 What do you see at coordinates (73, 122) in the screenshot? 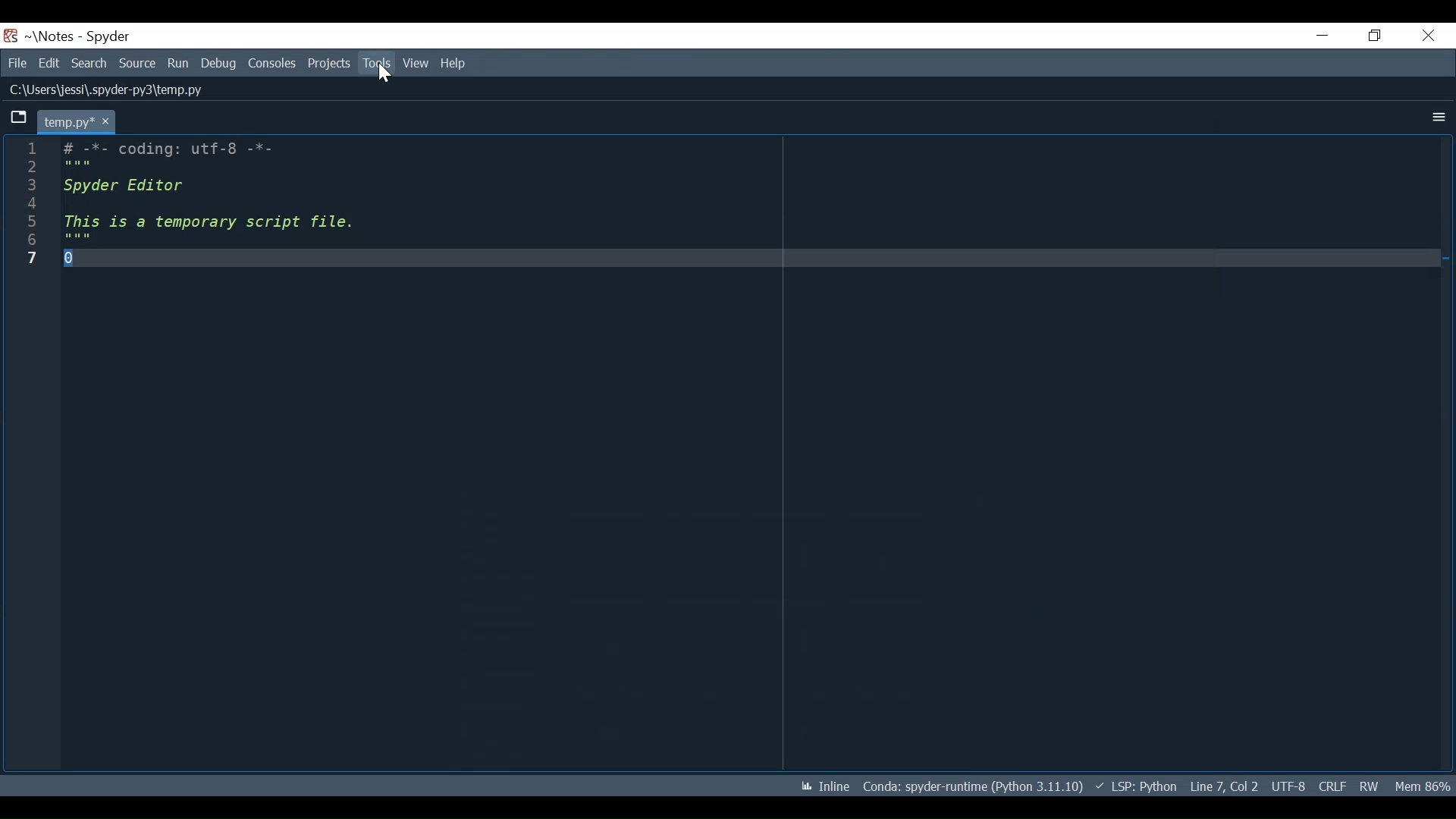
I see `Current tab` at bounding box center [73, 122].